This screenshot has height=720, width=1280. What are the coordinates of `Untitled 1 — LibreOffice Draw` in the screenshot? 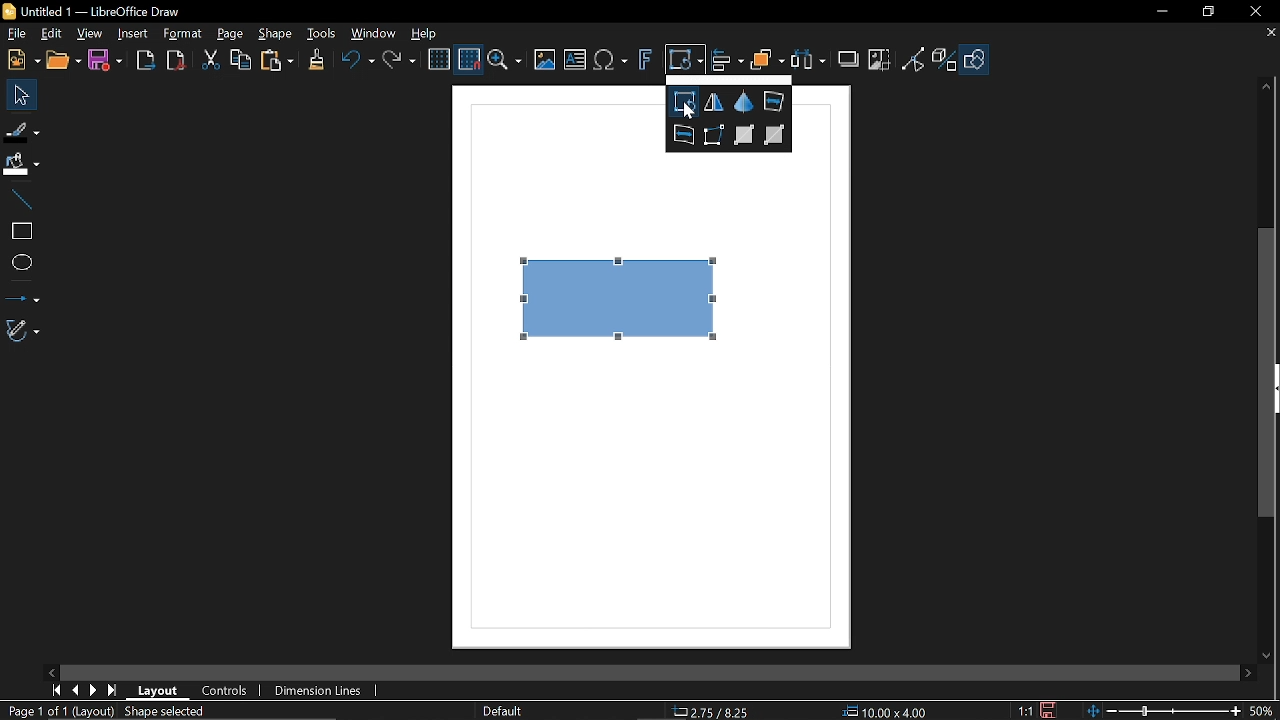 It's located at (108, 11).